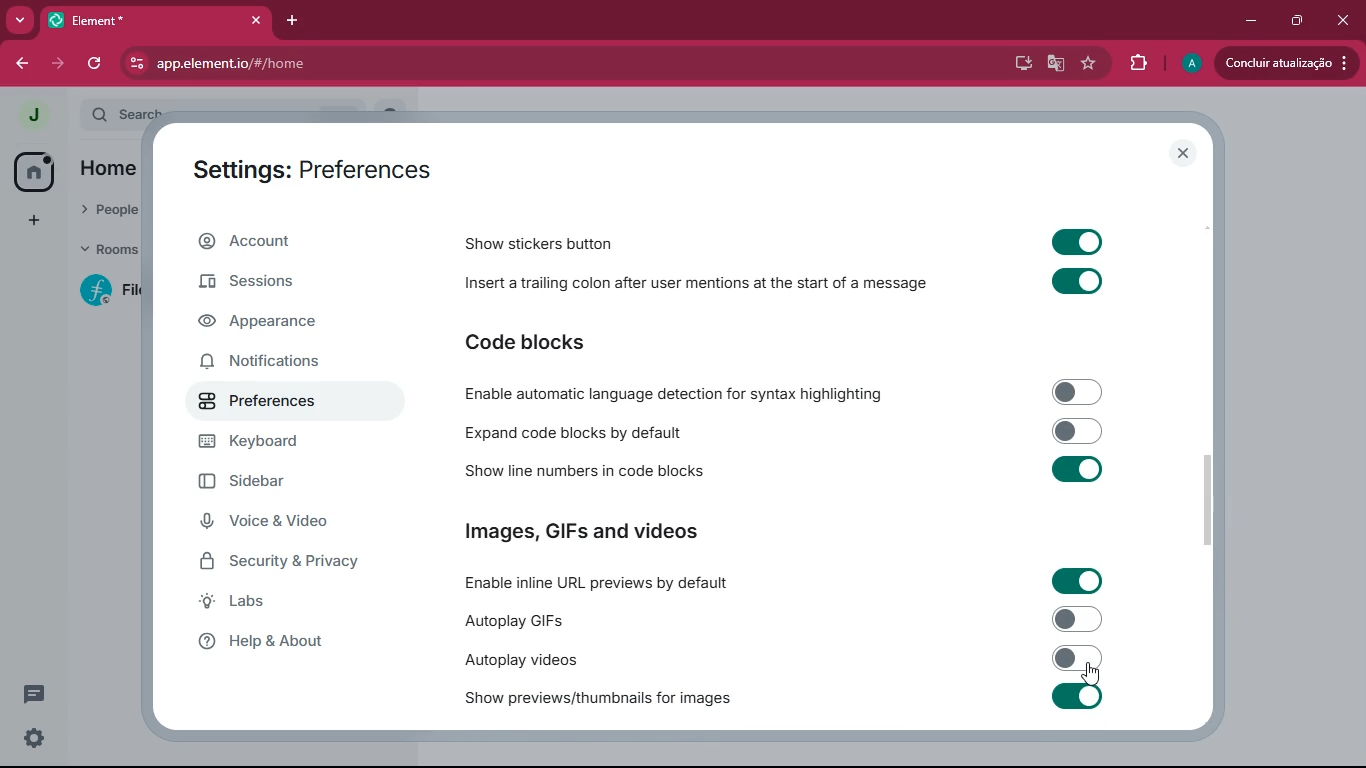 This screenshot has height=768, width=1366. Describe the element at coordinates (575, 432) in the screenshot. I see `code blocks` at that location.